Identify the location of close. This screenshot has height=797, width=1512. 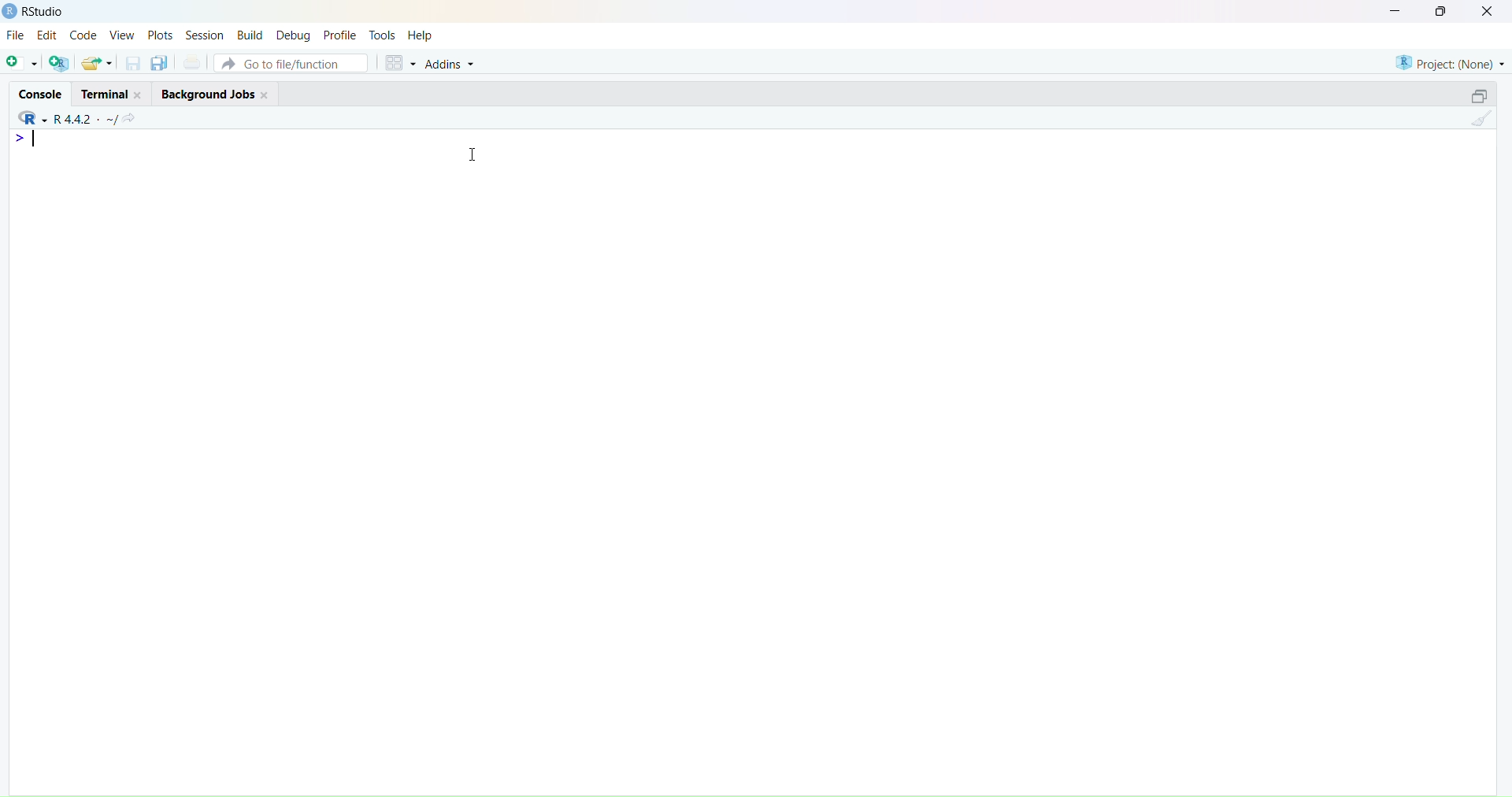
(265, 95).